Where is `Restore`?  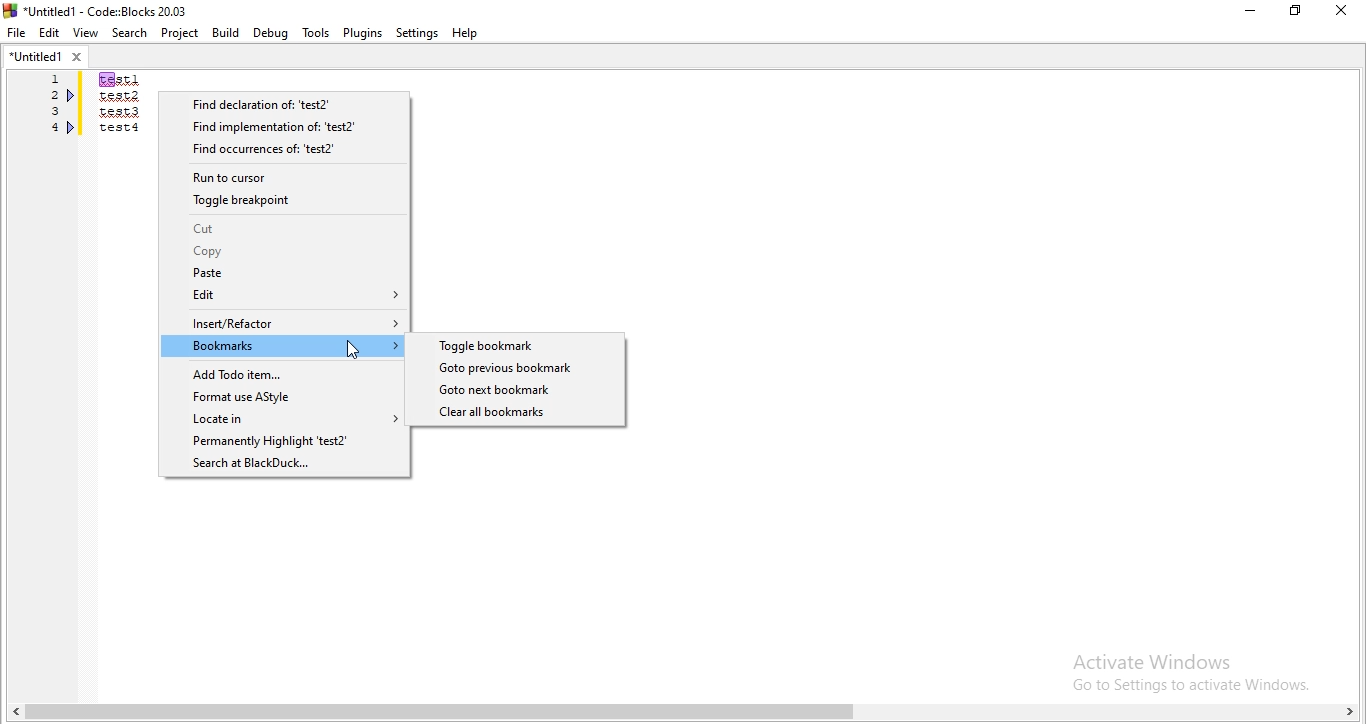 Restore is located at coordinates (1294, 13).